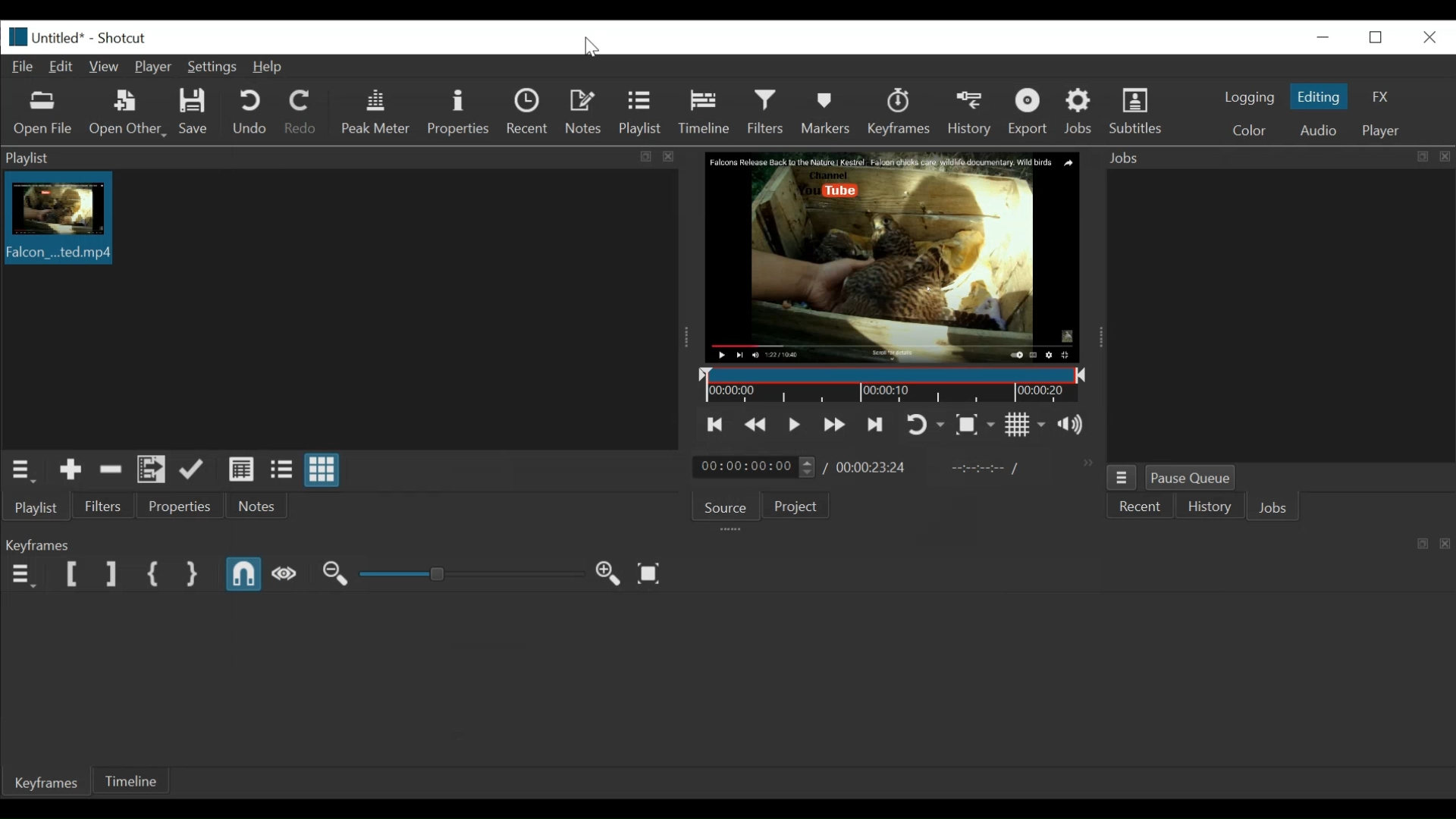  What do you see at coordinates (268, 66) in the screenshot?
I see `Help` at bounding box center [268, 66].